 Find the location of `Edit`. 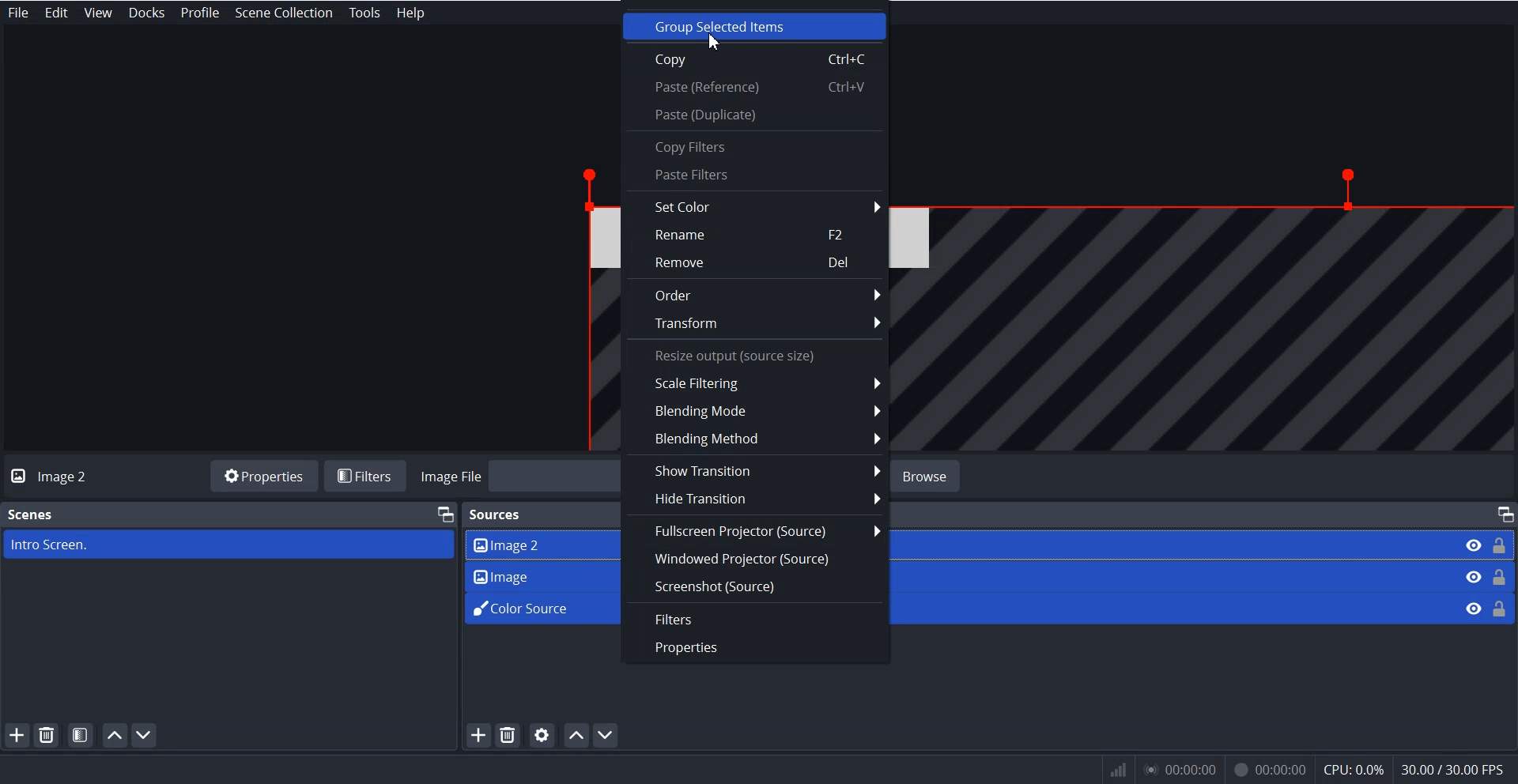

Edit is located at coordinates (57, 13).